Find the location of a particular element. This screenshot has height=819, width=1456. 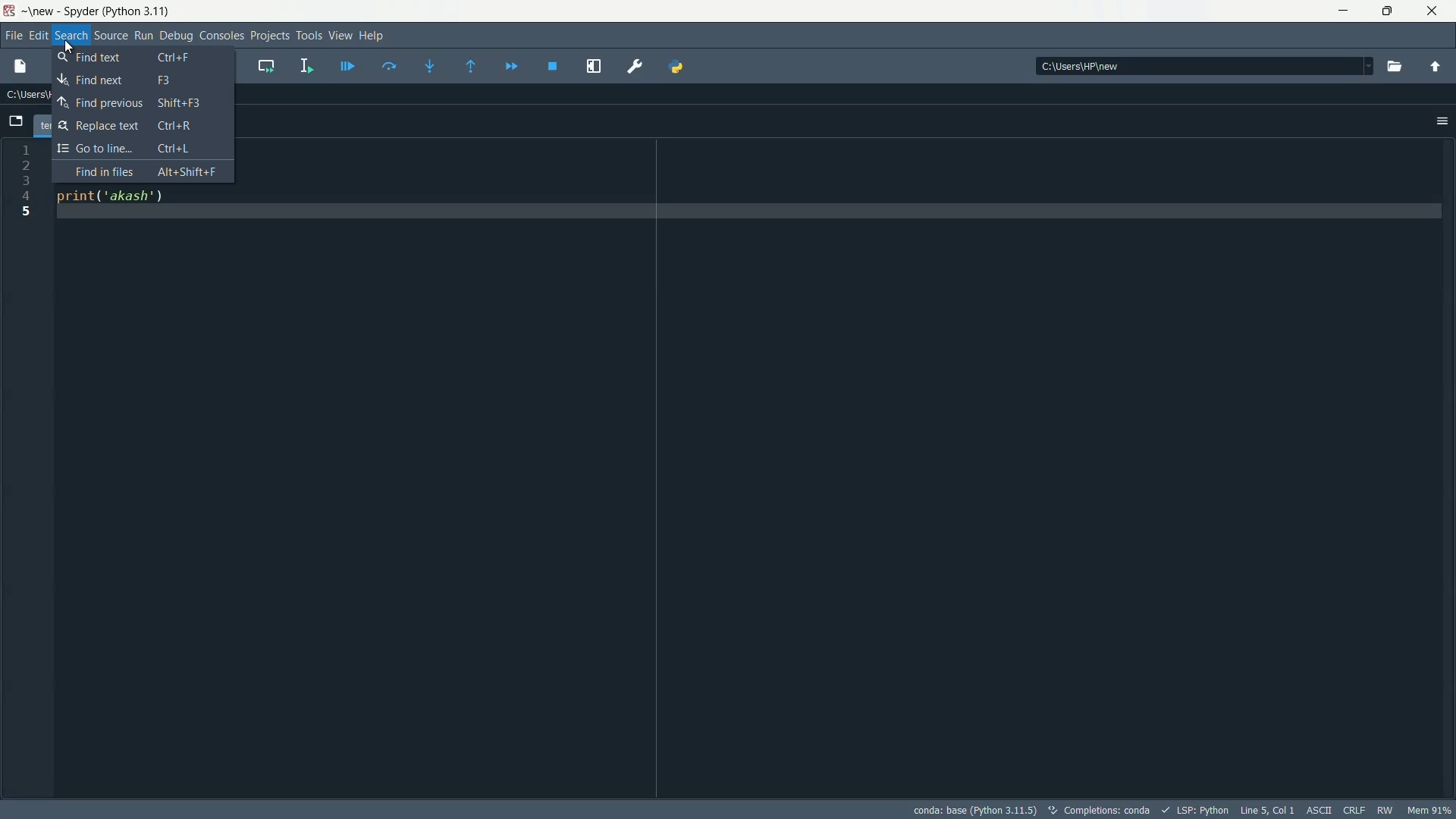

Line 5, Col 1 is located at coordinates (1266, 810).